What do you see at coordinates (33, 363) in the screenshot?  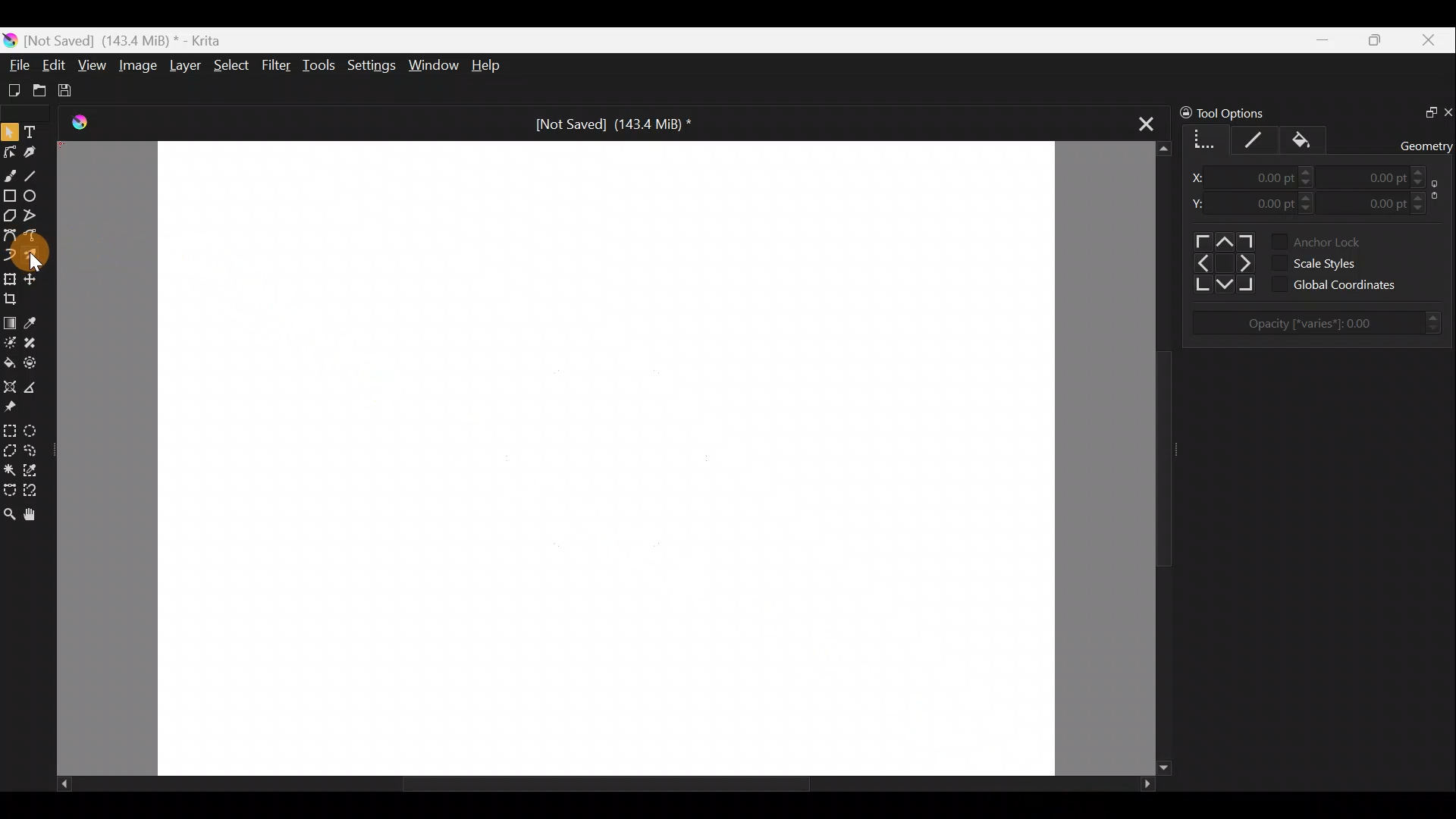 I see `Enclose and fill tool` at bounding box center [33, 363].